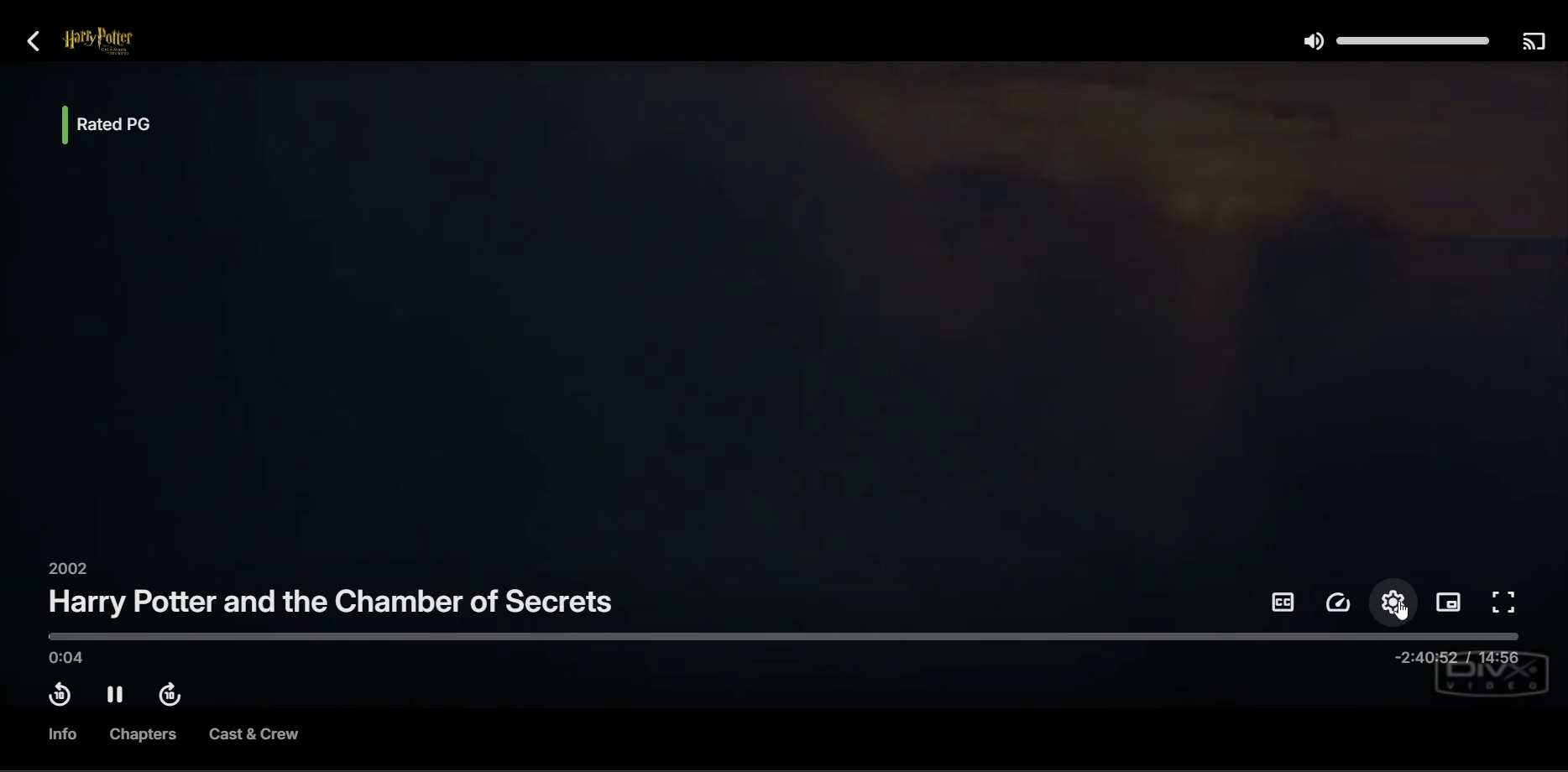 The height and width of the screenshot is (772, 1568). What do you see at coordinates (1283, 602) in the screenshot?
I see `Subtitles` at bounding box center [1283, 602].